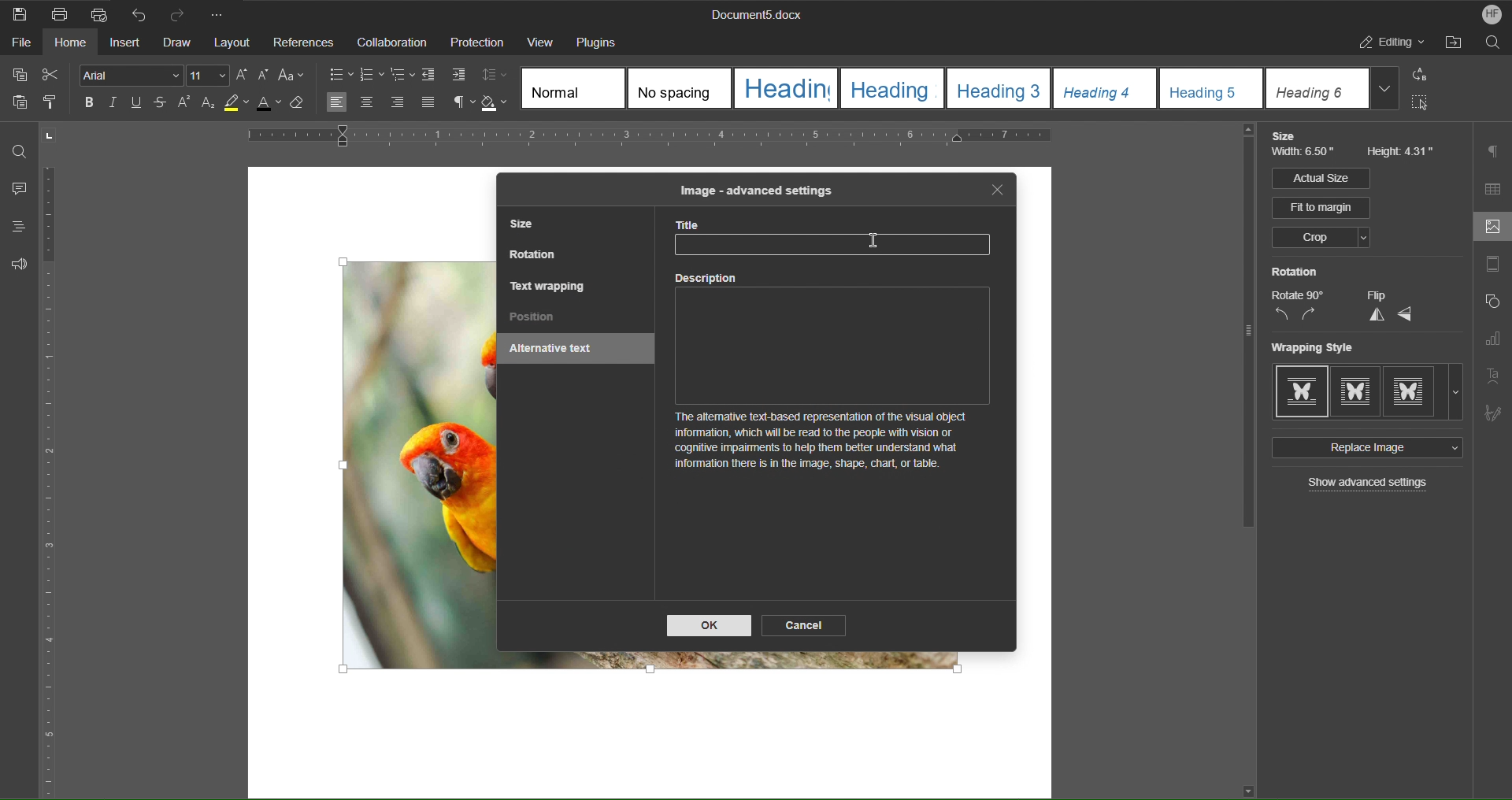 Image resolution: width=1512 pixels, height=800 pixels. Describe the element at coordinates (1374, 315) in the screenshot. I see `Vertical Flip` at that location.